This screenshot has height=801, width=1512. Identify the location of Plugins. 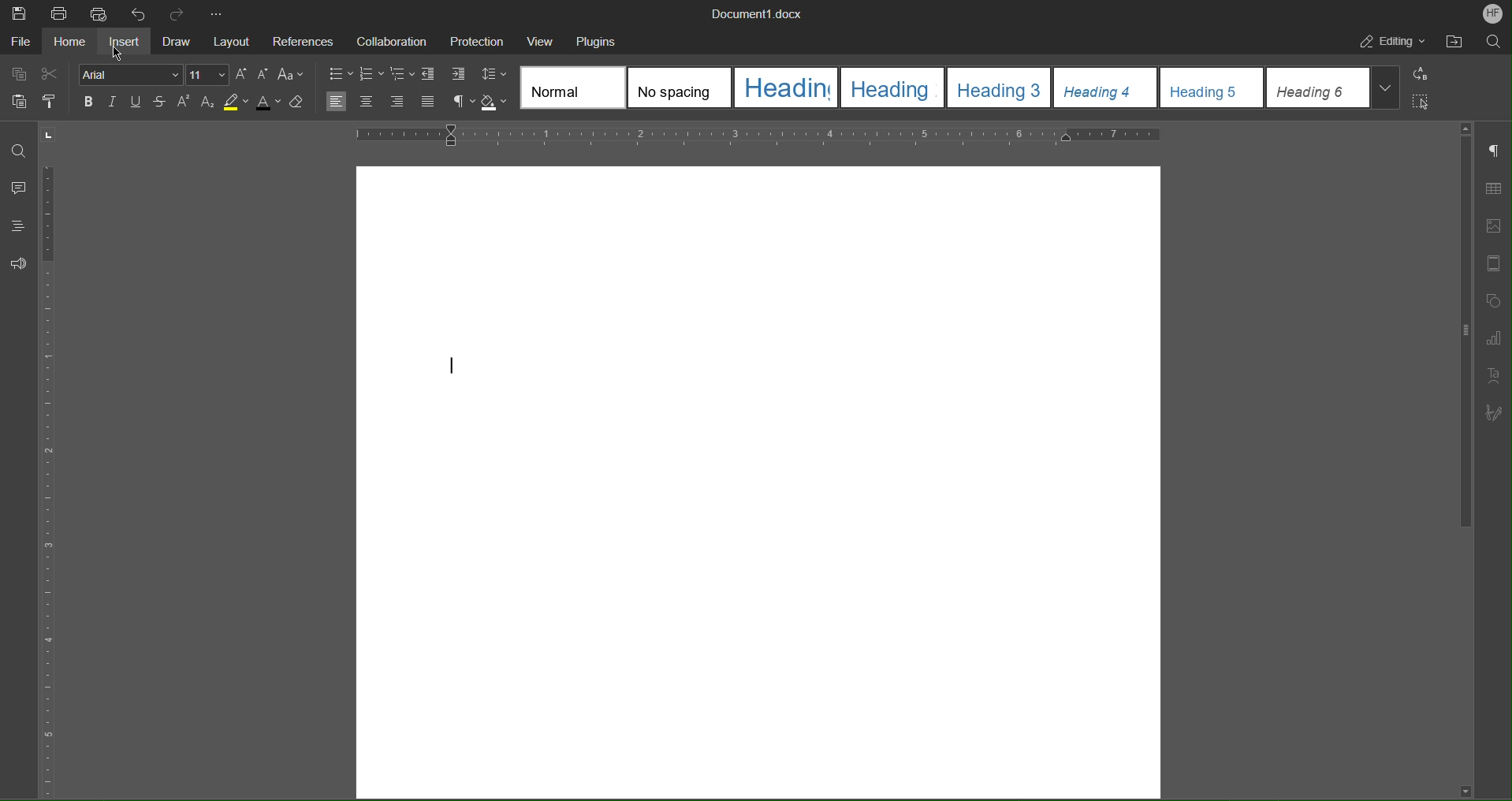
(599, 39).